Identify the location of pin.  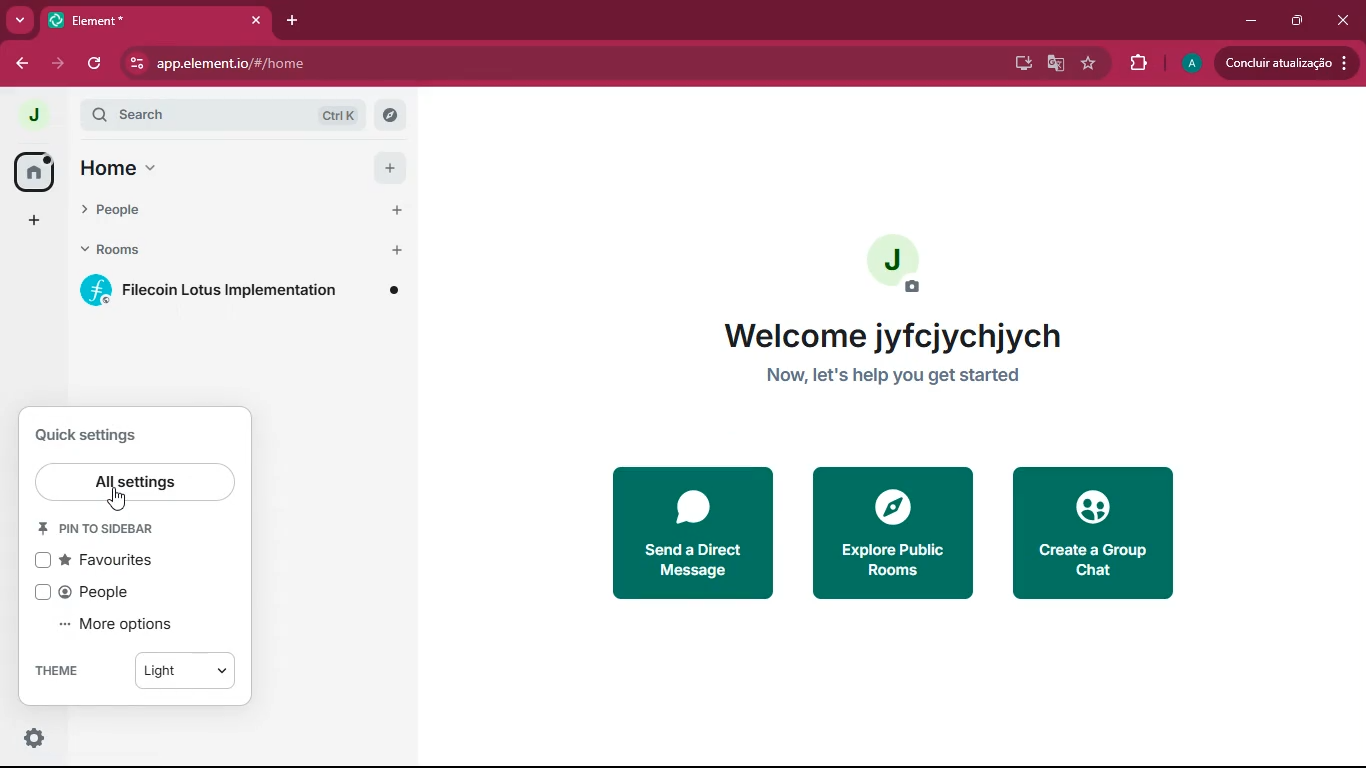
(110, 530).